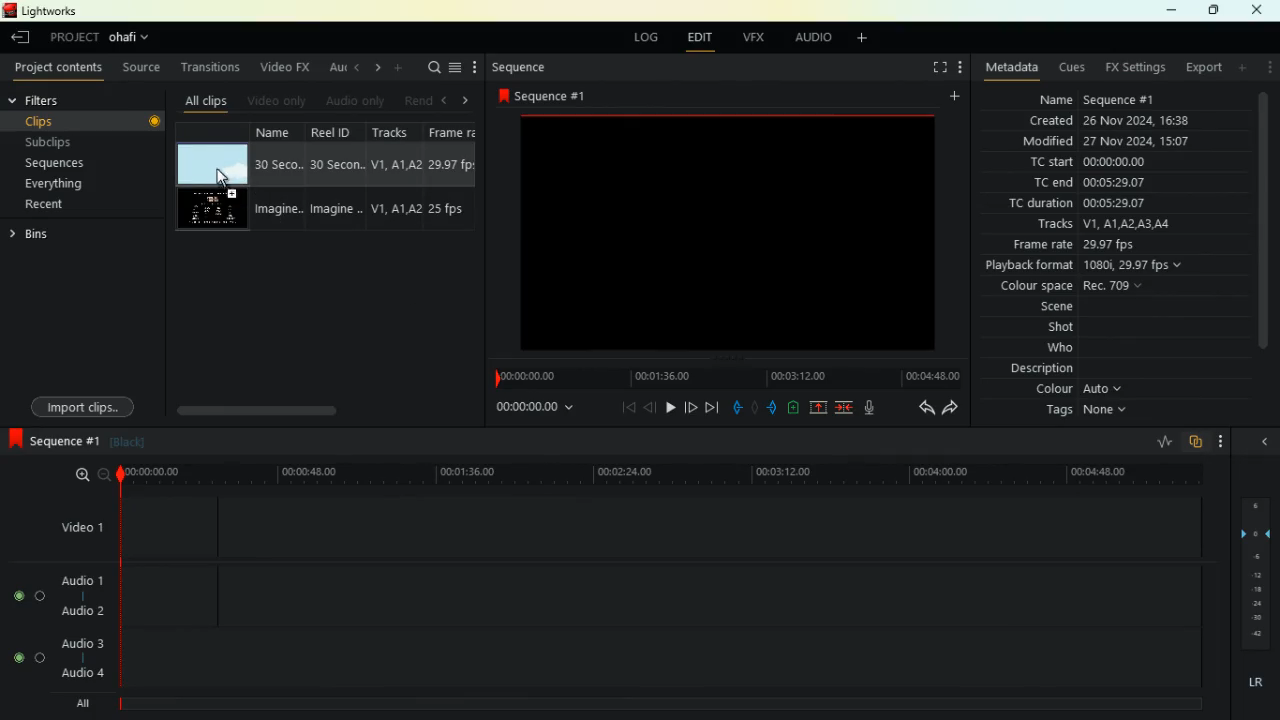 This screenshot has height=720, width=1280. Describe the element at coordinates (1050, 163) in the screenshot. I see `tc start` at that location.